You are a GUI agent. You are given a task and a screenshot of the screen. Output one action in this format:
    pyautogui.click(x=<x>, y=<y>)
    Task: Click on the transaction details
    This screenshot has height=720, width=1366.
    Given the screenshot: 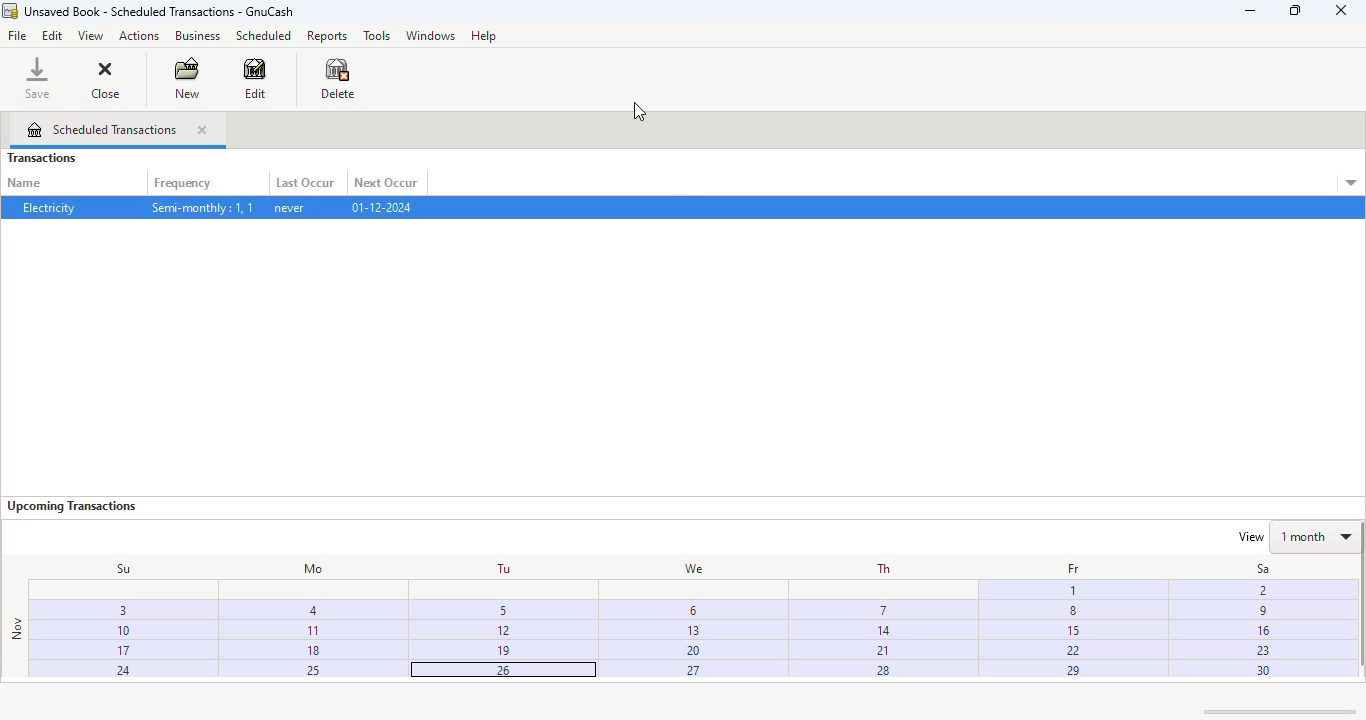 What is the action you would take?
    pyautogui.click(x=1351, y=184)
    